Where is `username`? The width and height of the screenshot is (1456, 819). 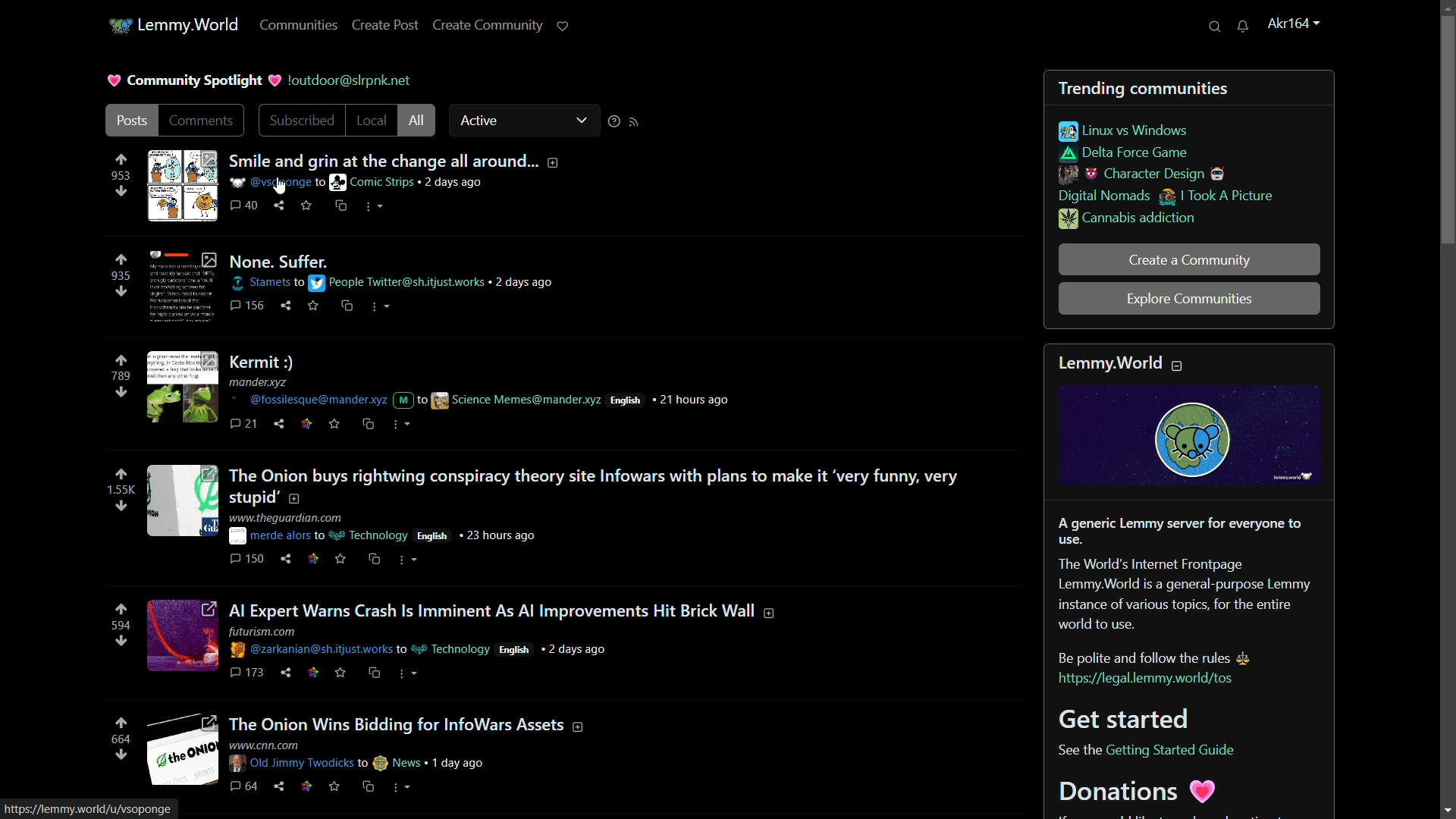
username is located at coordinates (1294, 24).